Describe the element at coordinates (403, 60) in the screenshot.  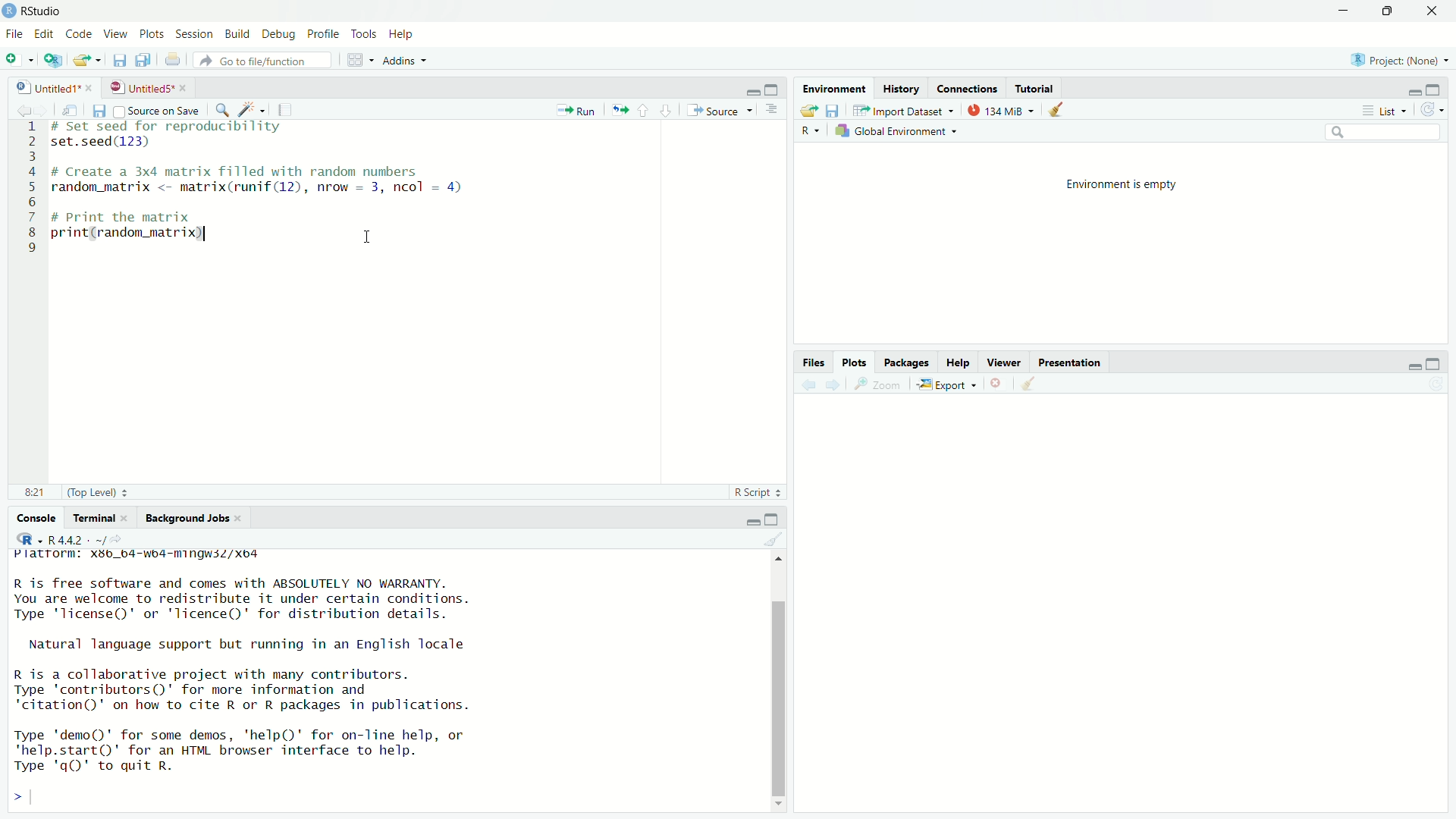
I see `Addins +` at that location.